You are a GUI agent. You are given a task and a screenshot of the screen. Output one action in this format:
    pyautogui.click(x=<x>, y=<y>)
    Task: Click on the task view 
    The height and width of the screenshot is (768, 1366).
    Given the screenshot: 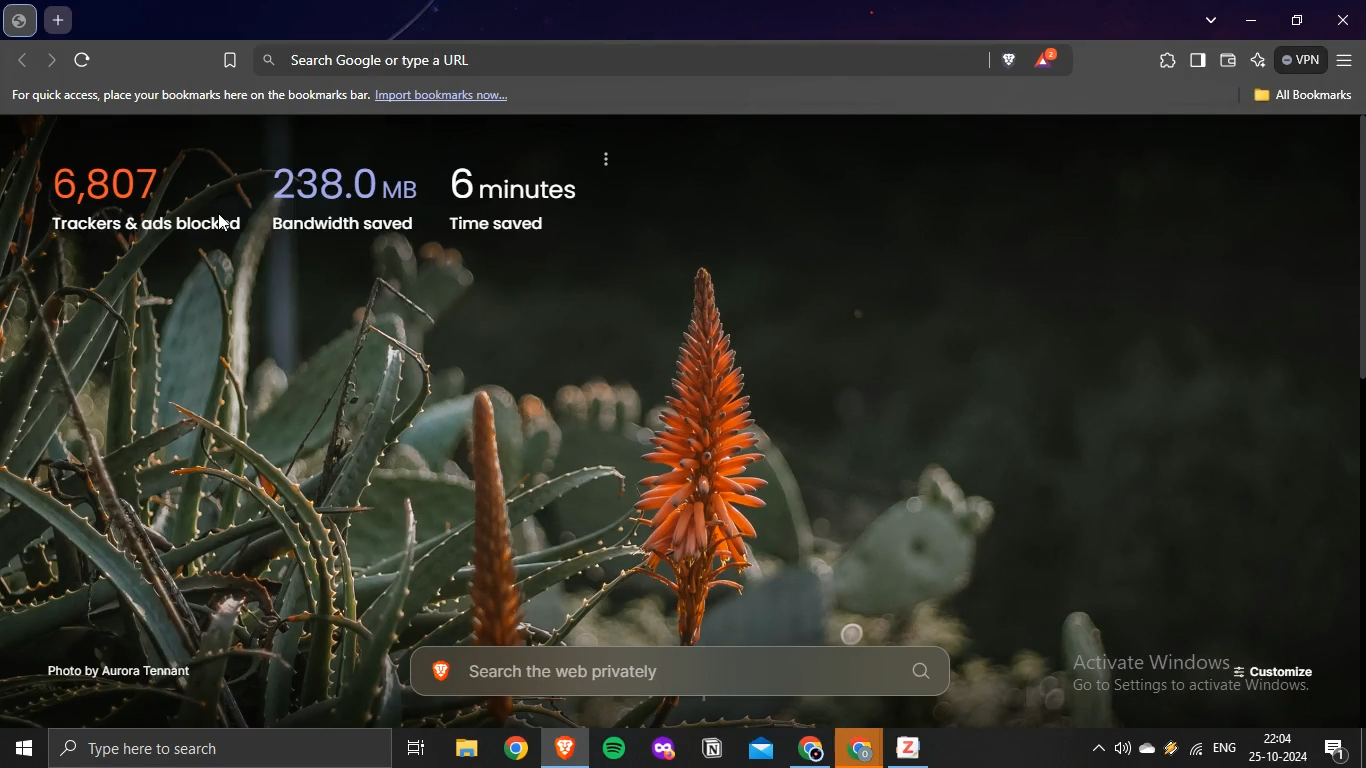 What is the action you would take?
    pyautogui.click(x=414, y=748)
    